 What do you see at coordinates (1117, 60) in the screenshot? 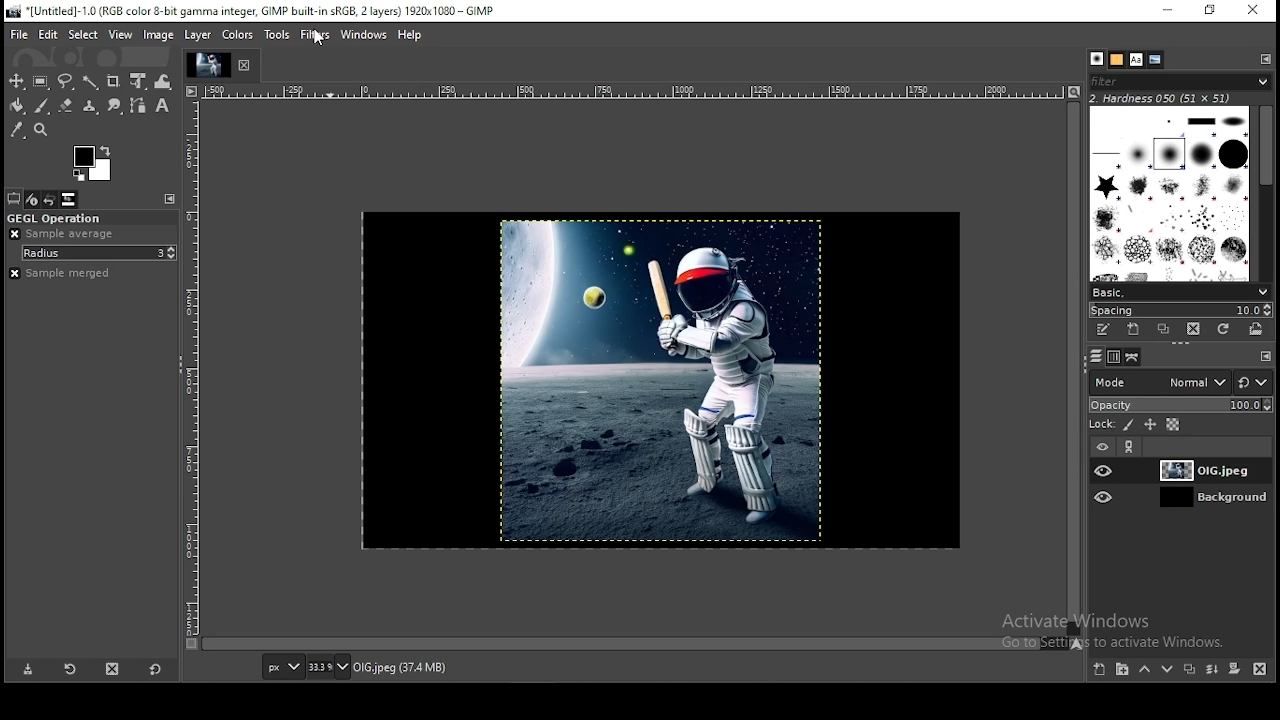
I see `patters` at bounding box center [1117, 60].